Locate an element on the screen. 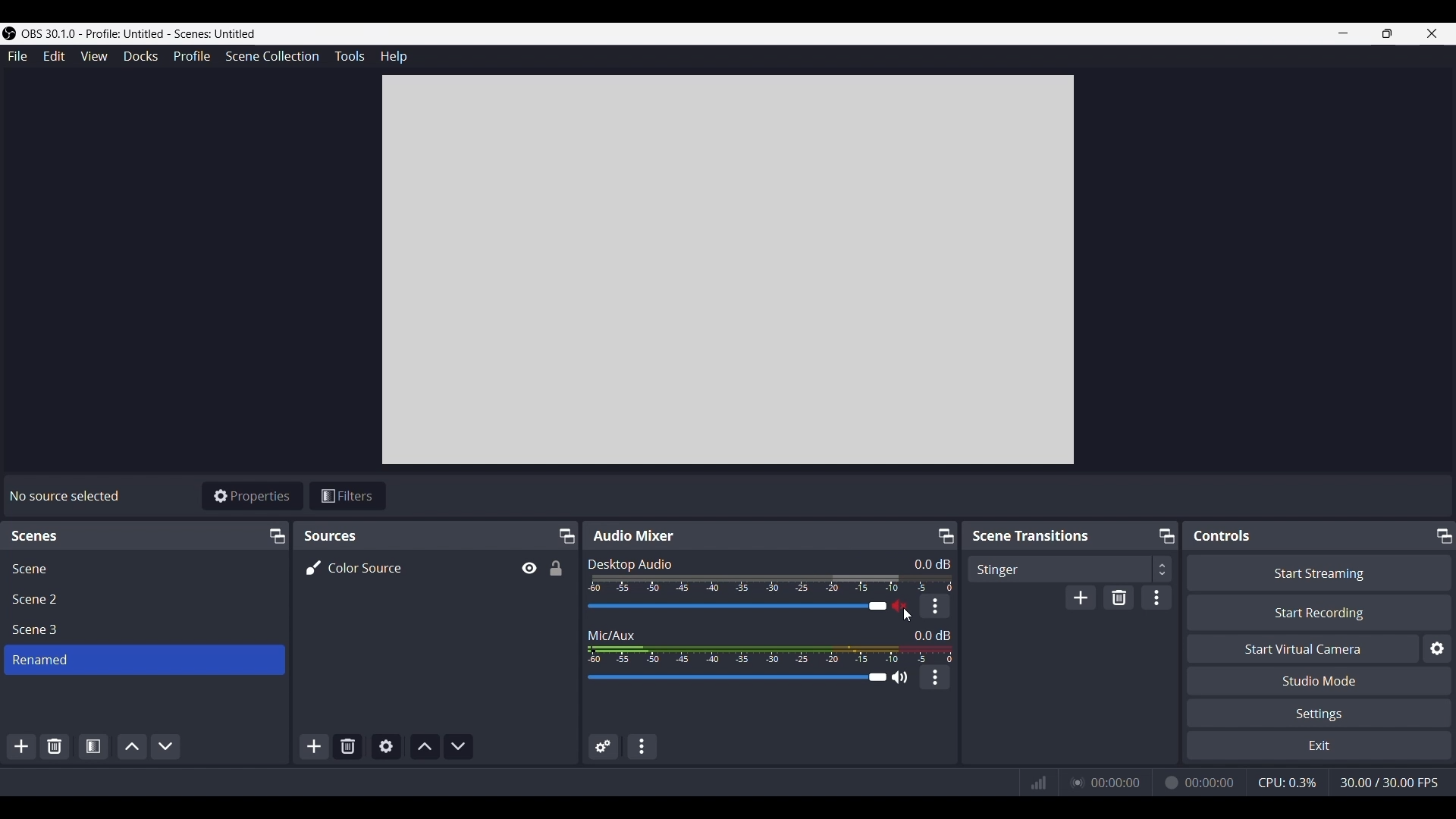  Float controls panel is located at coordinates (1444, 535).